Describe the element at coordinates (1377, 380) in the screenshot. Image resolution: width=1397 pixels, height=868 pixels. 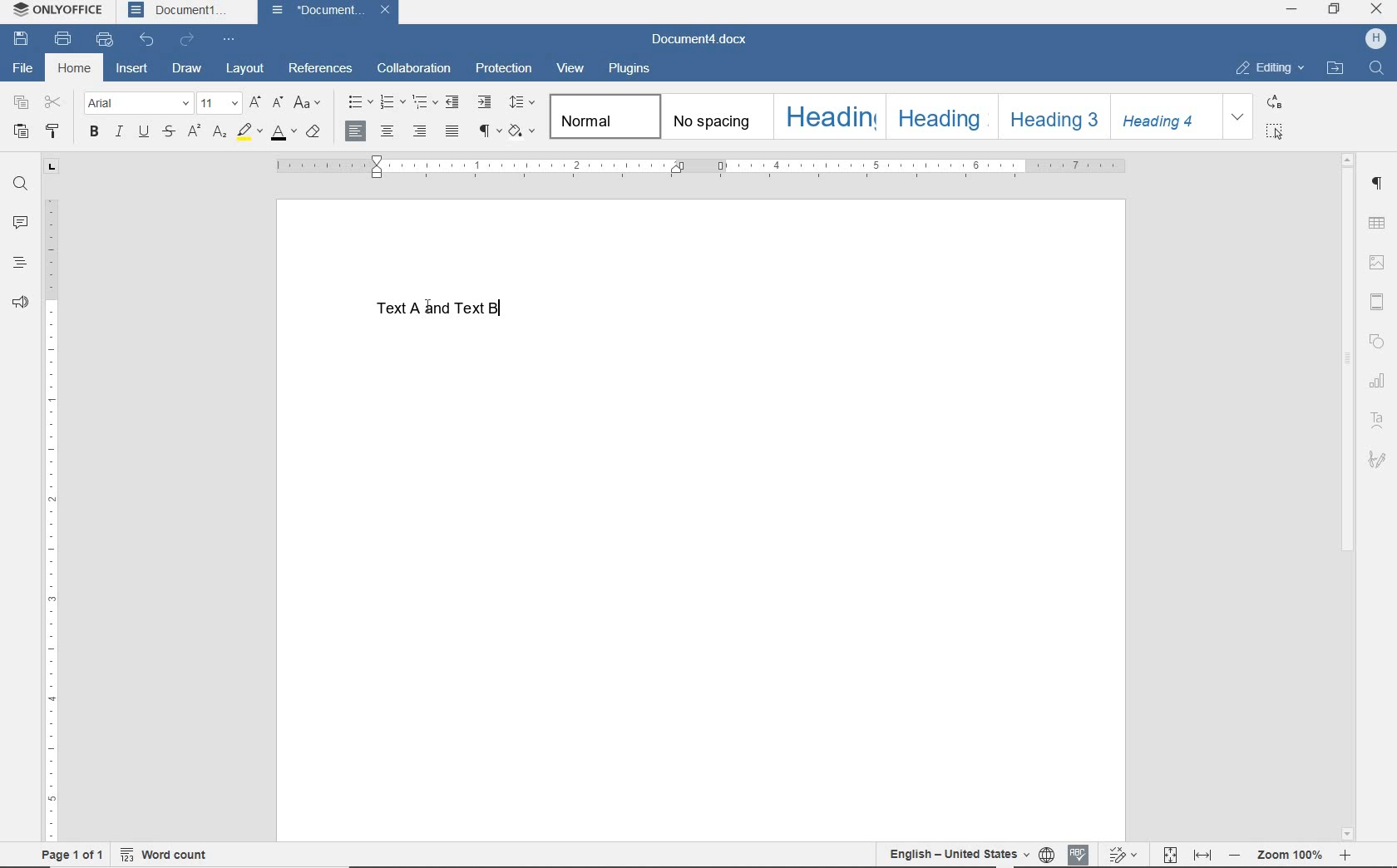
I see `CHART` at that location.